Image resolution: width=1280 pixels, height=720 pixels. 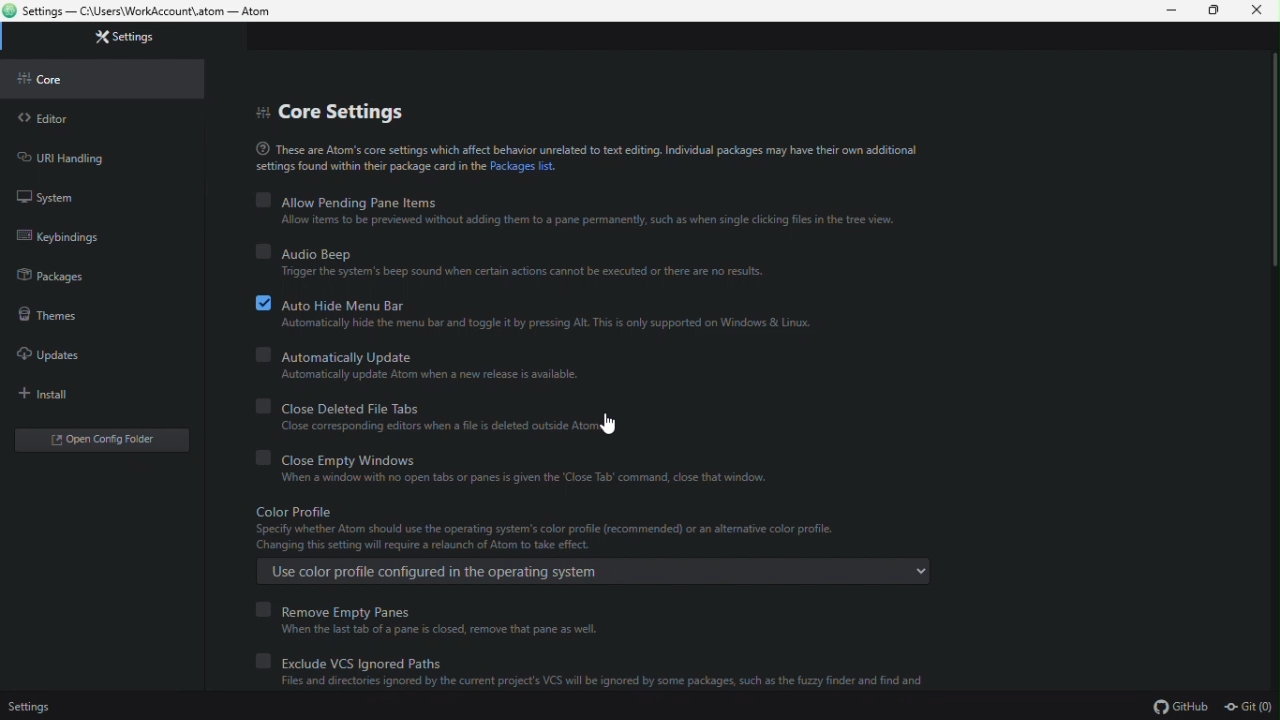 What do you see at coordinates (459, 404) in the screenshot?
I see `Close Deleted File Tabs` at bounding box center [459, 404].